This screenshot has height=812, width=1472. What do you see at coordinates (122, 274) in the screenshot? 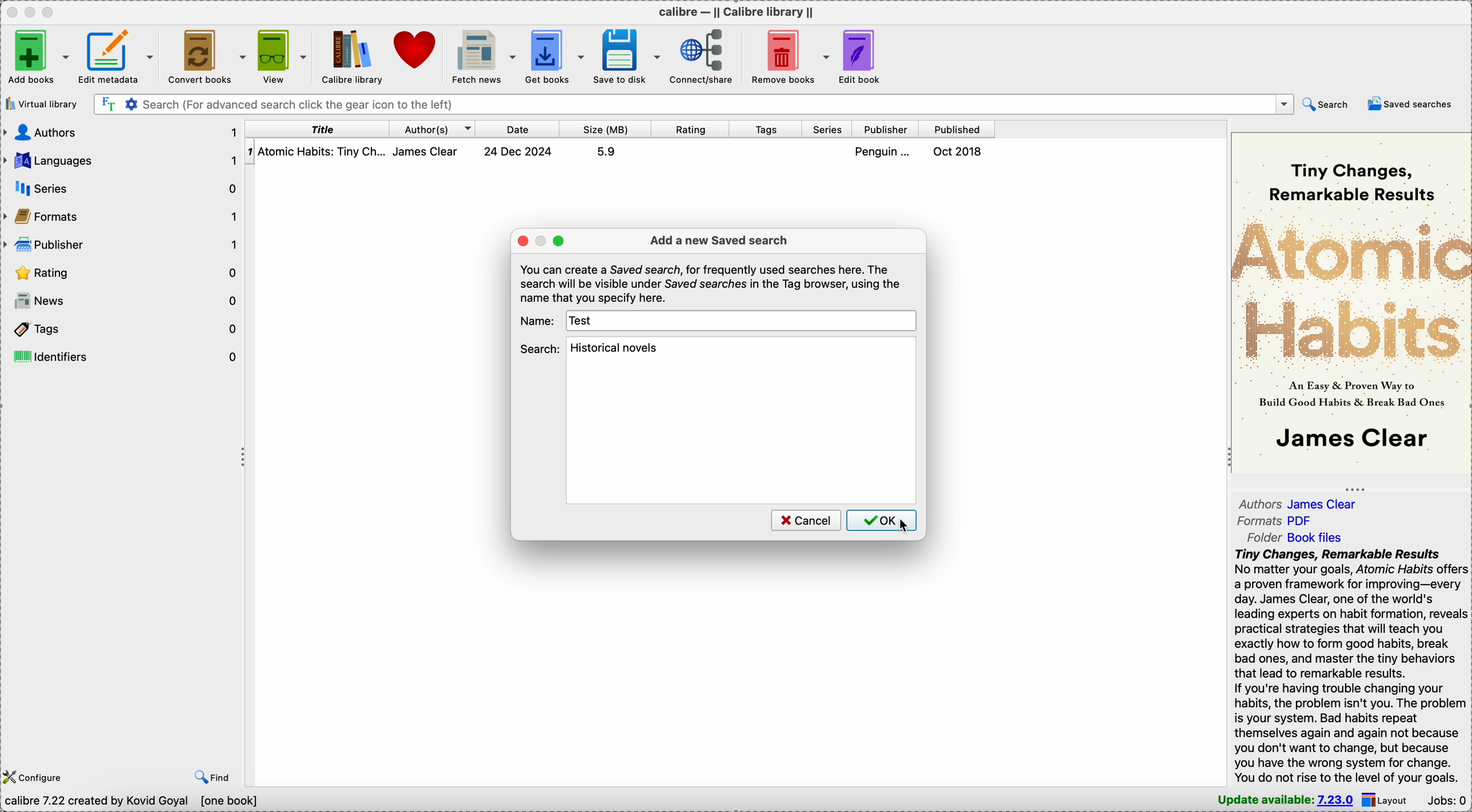
I see `rating` at bounding box center [122, 274].